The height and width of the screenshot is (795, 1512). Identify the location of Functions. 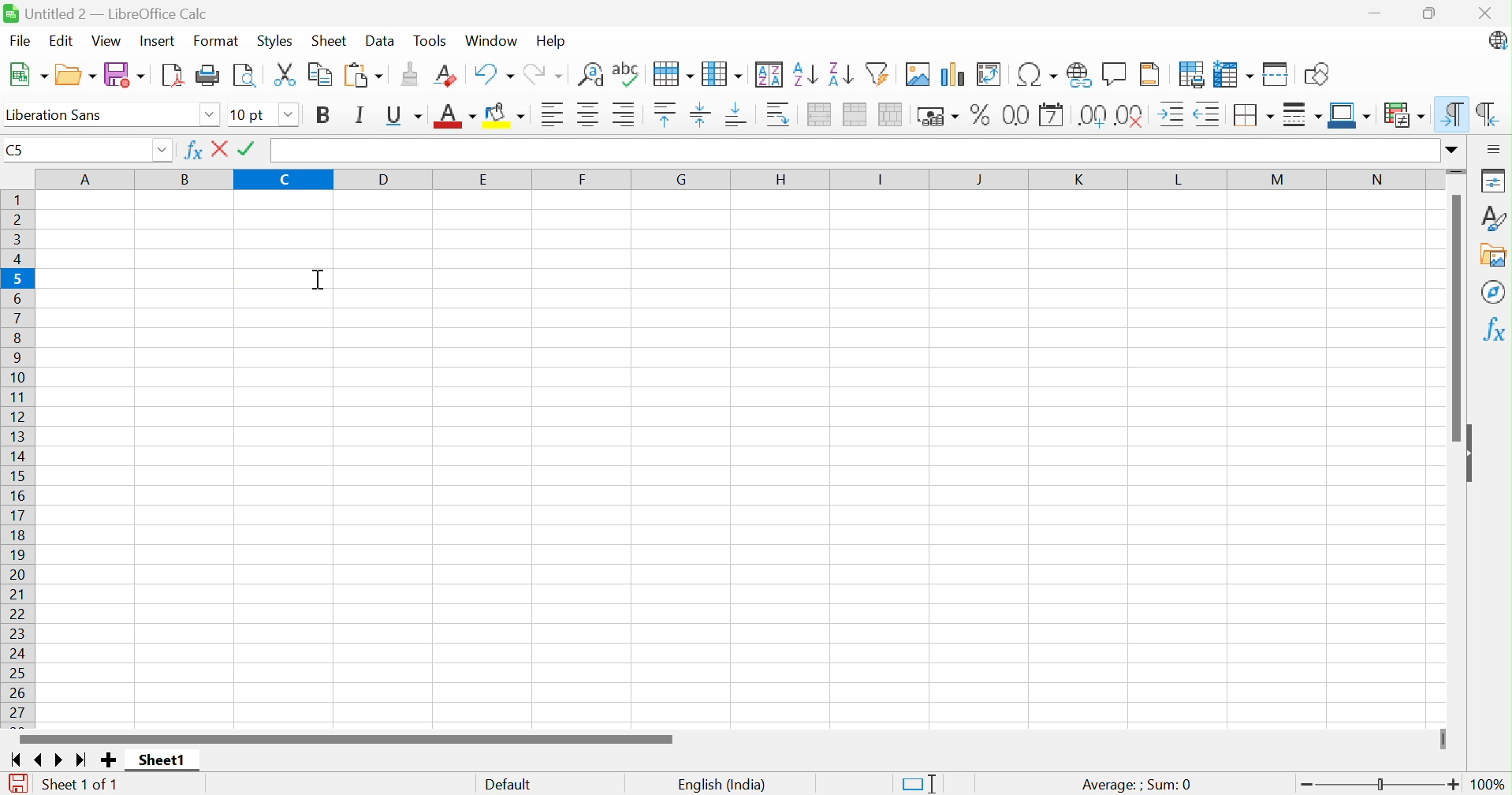
(1493, 332).